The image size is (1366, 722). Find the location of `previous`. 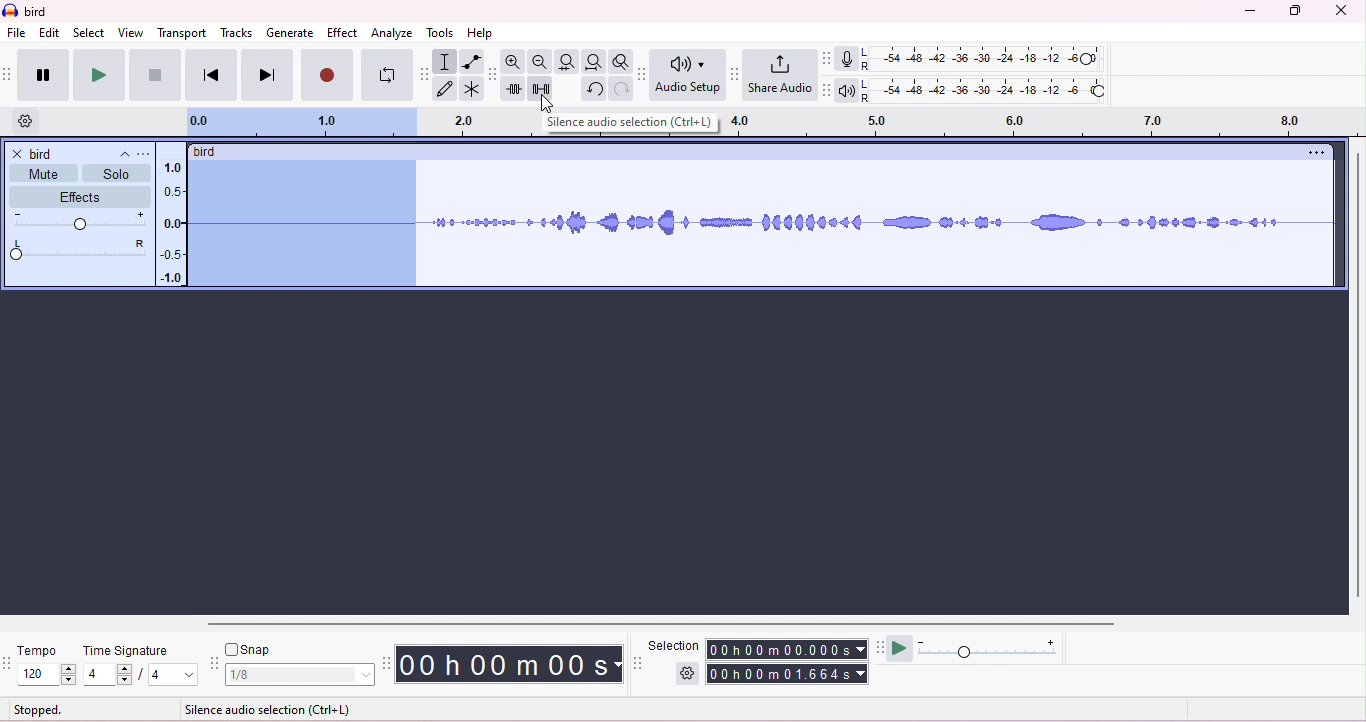

previous is located at coordinates (210, 76).